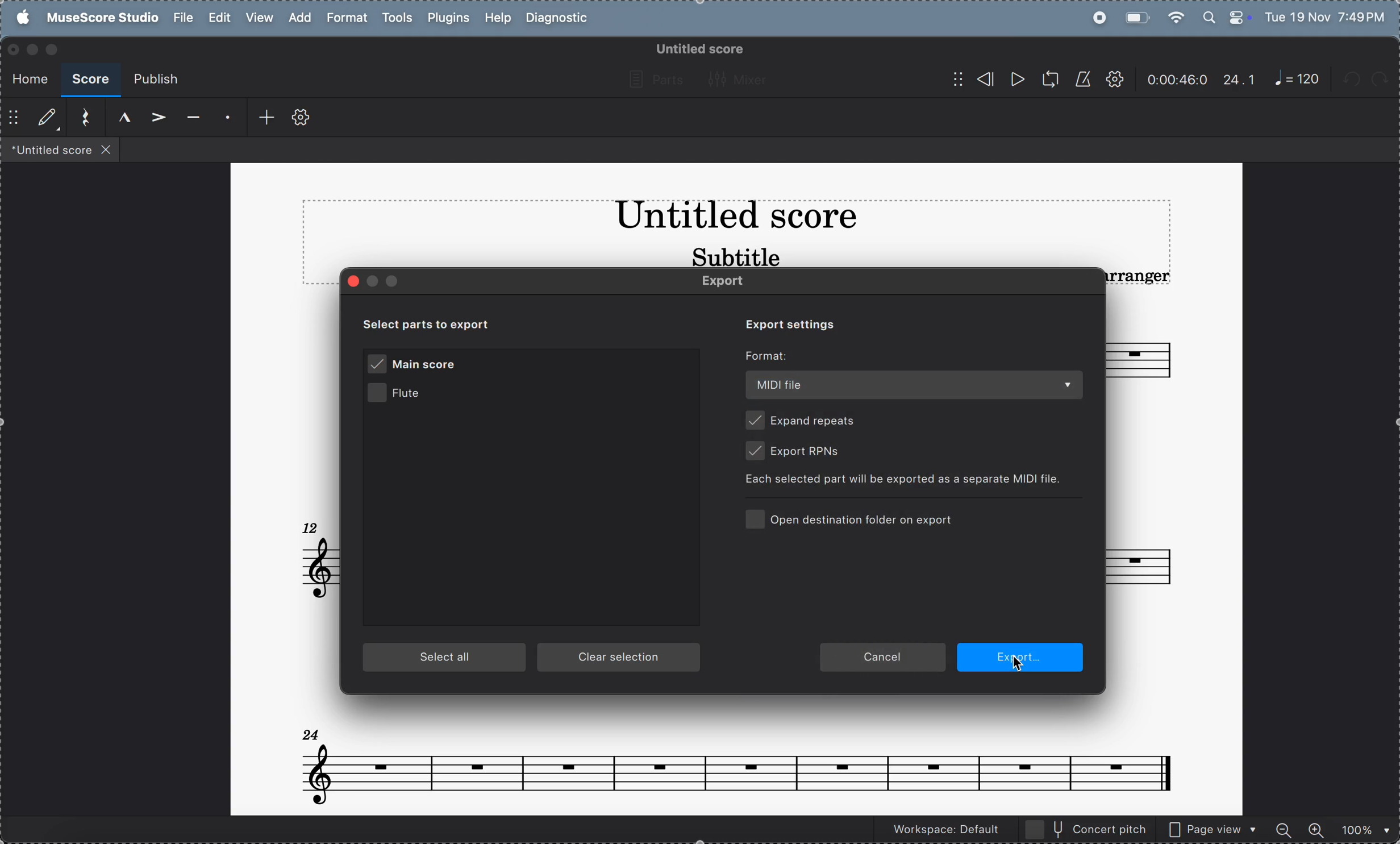 This screenshot has width=1400, height=844. Describe the element at coordinates (1135, 16) in the screenshot. I see `battery` at that location.